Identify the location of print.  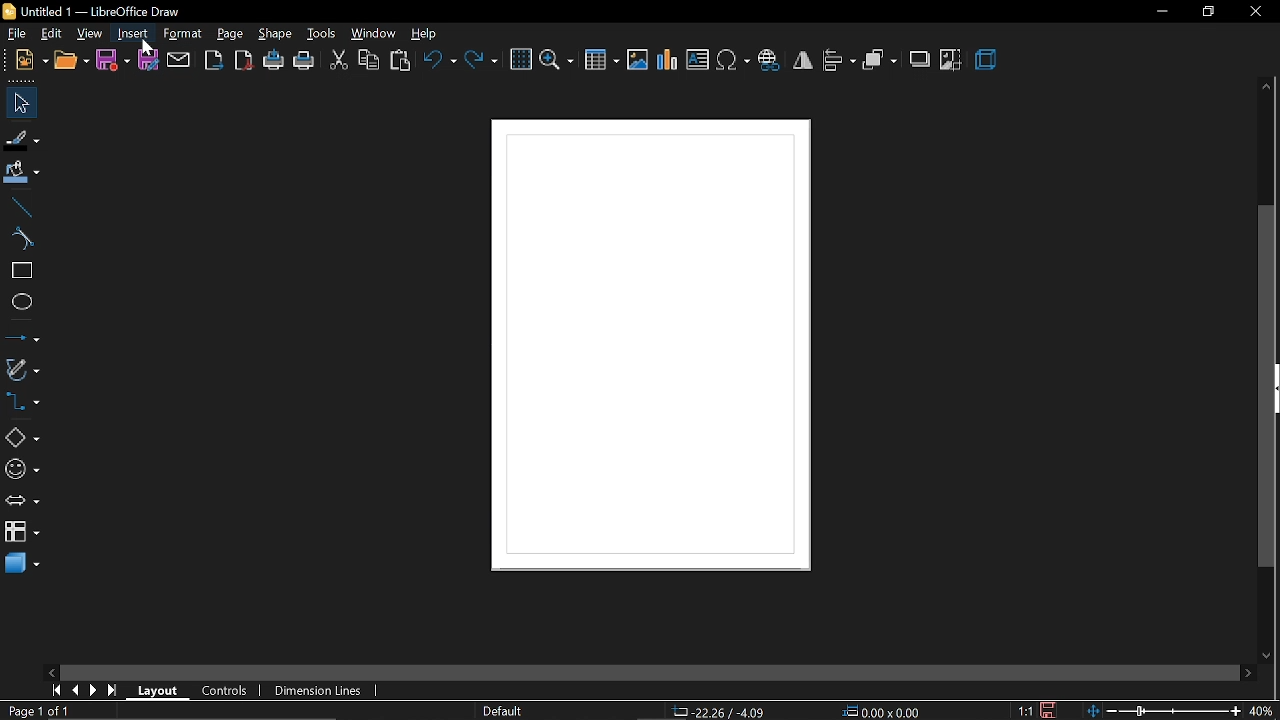
(304, 60).